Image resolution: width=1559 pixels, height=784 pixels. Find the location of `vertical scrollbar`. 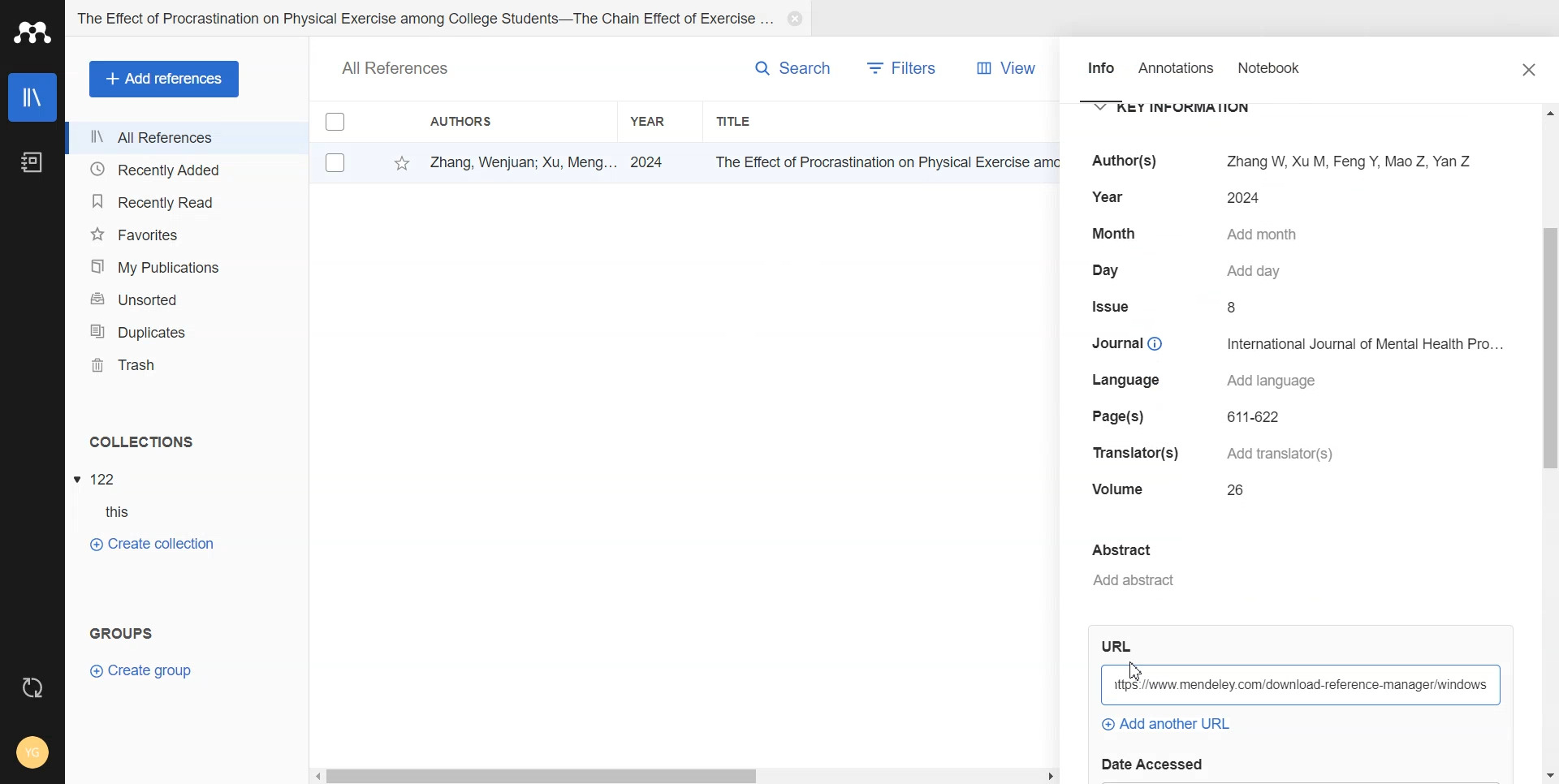

vertical scrollbar is located at coordinates (1549, 362).